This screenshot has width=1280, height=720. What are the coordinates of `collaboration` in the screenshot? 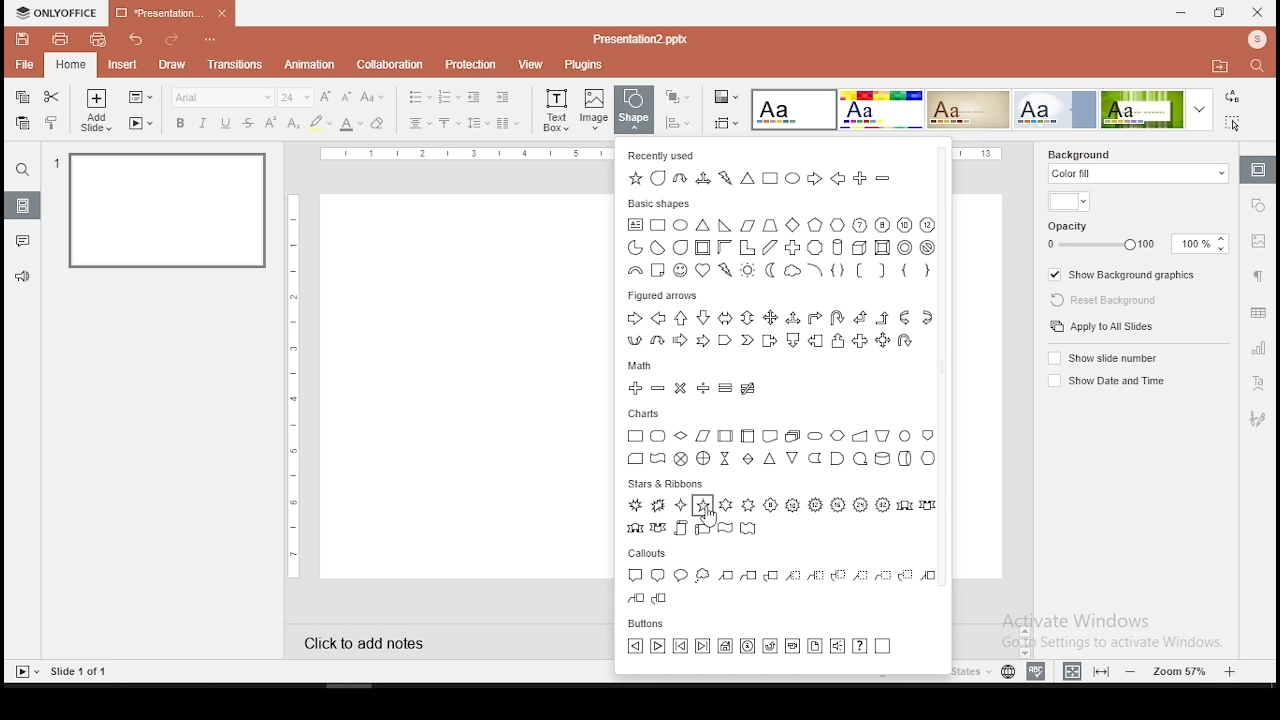 It's located at (389, 64).